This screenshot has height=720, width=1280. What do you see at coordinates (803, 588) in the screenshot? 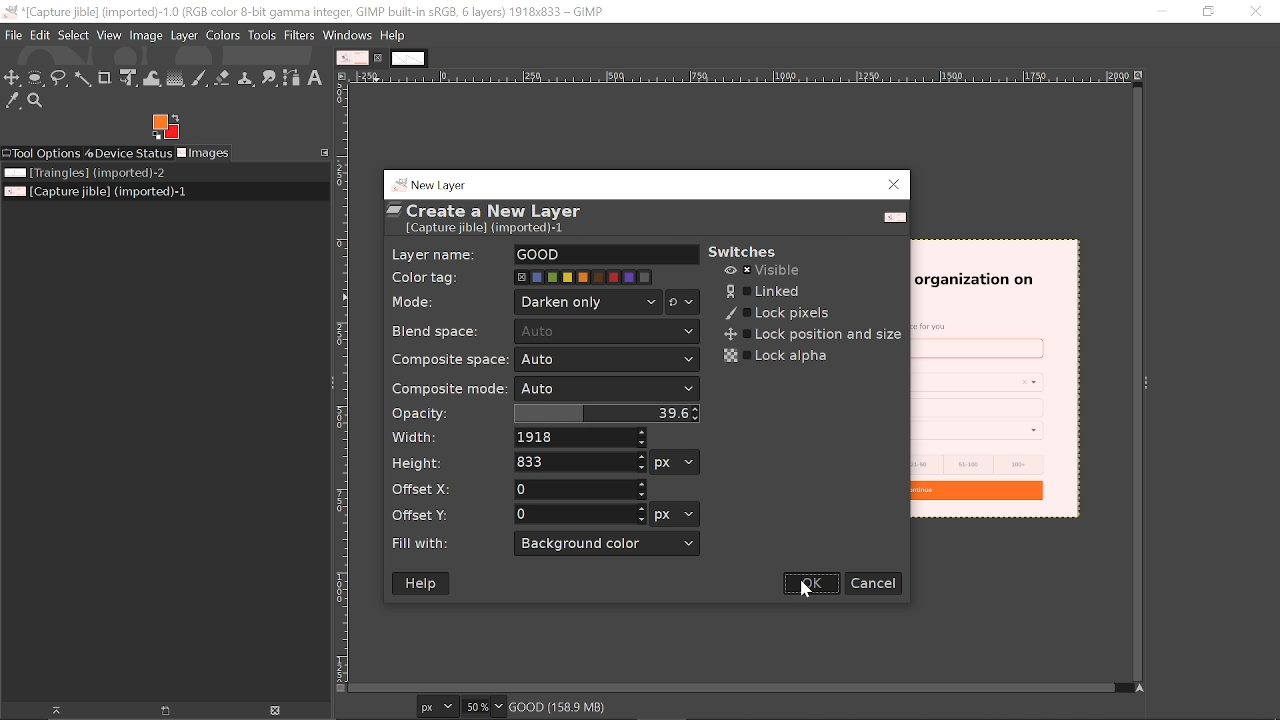
I see `Cursor` at bounding box center [803, 588].